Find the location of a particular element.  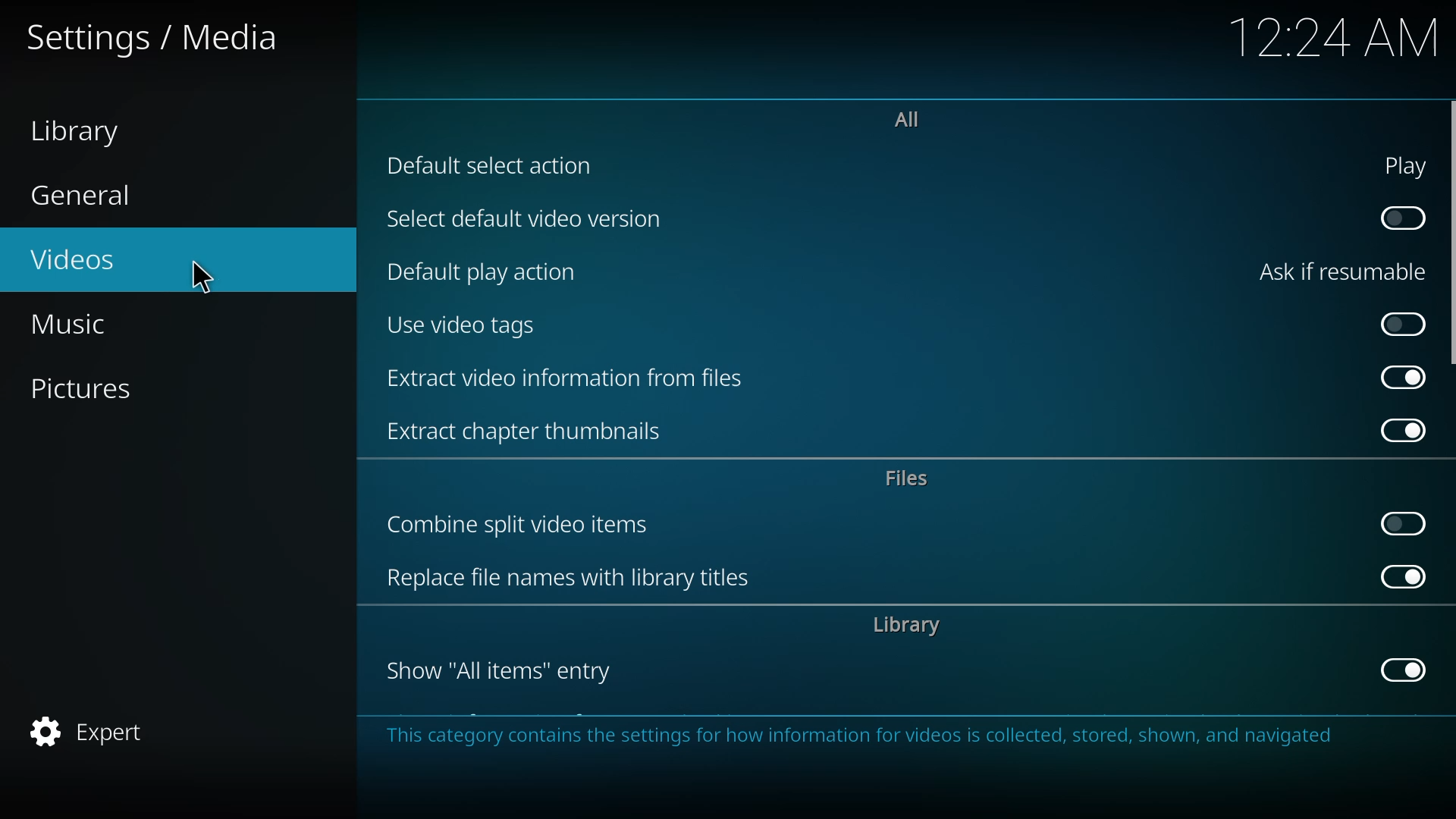

default select action is located at coordinates (492, 165).